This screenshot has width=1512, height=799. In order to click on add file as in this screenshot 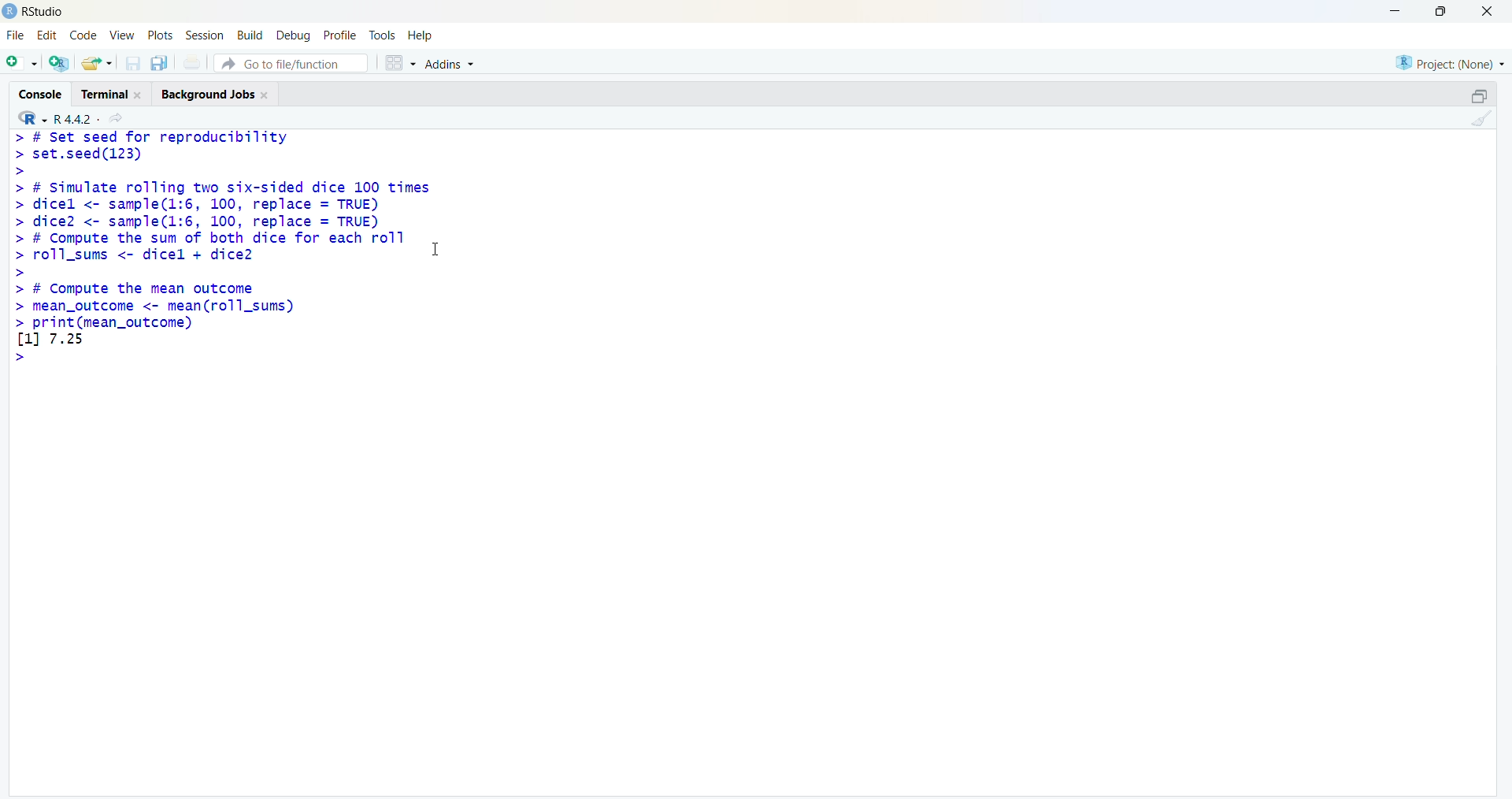, I will do `click(23, 63)`.